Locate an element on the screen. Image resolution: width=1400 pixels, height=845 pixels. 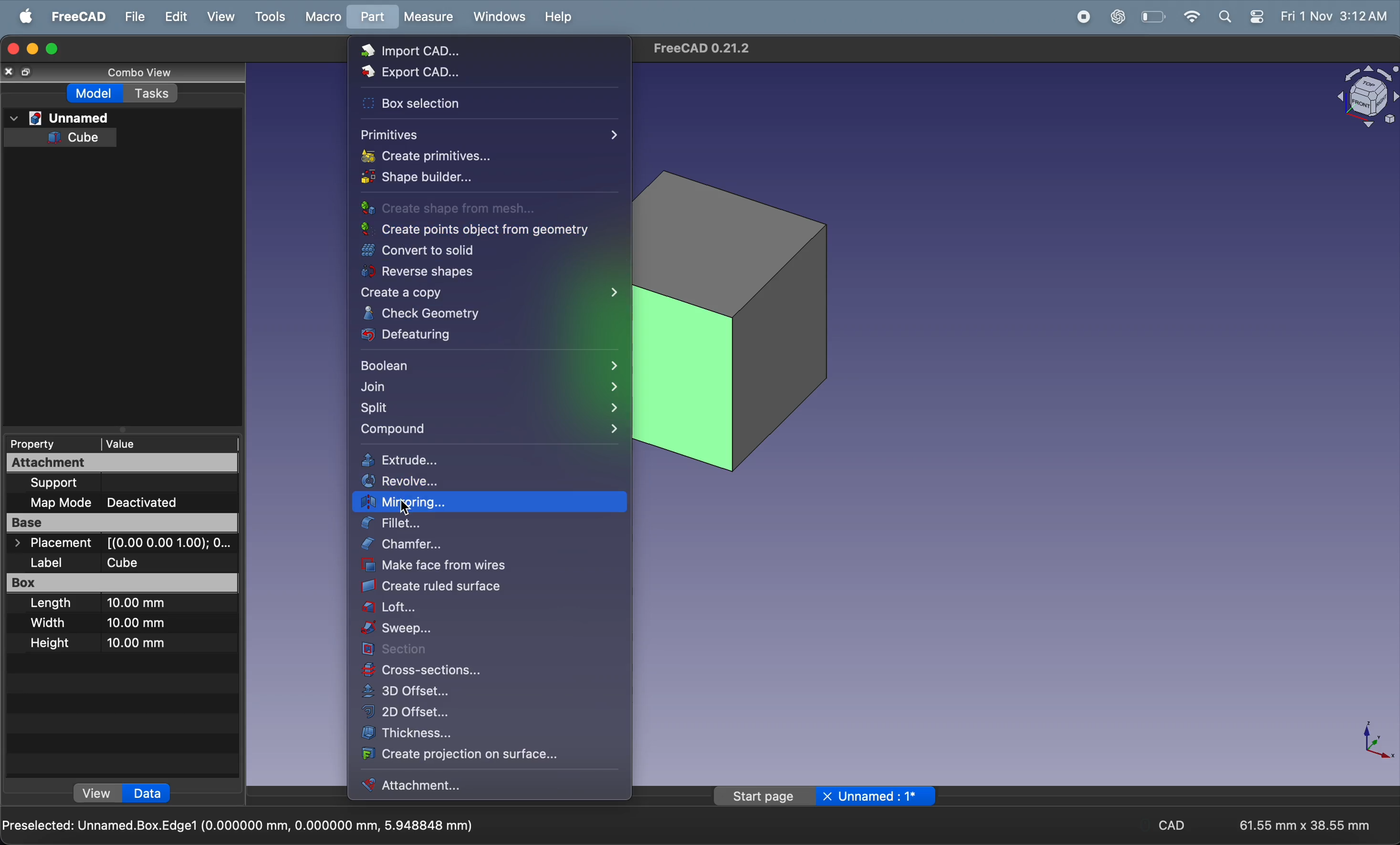
Base is located at coordinates (121, 522).